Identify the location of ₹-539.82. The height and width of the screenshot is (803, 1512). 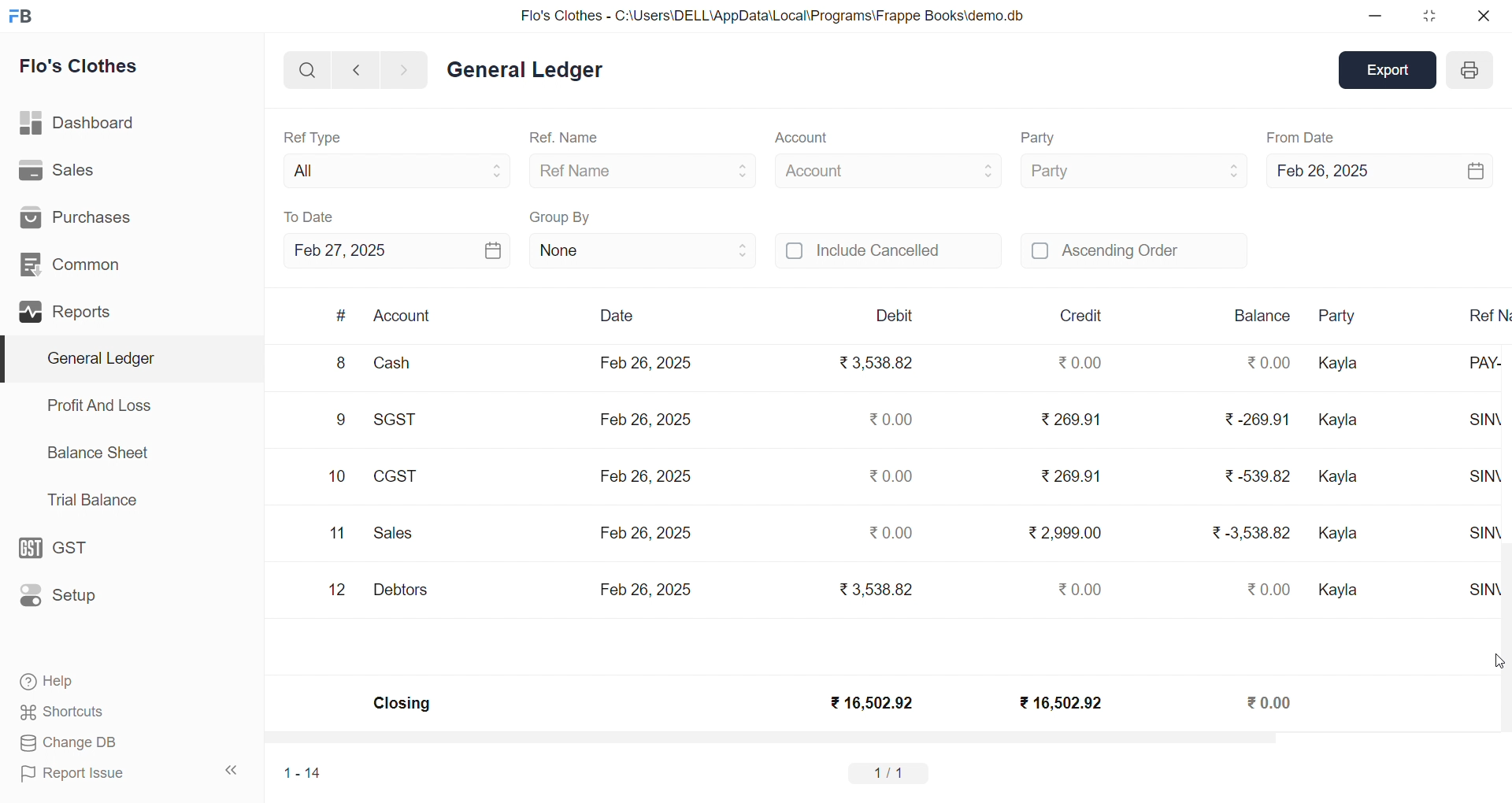
(1256, 479).